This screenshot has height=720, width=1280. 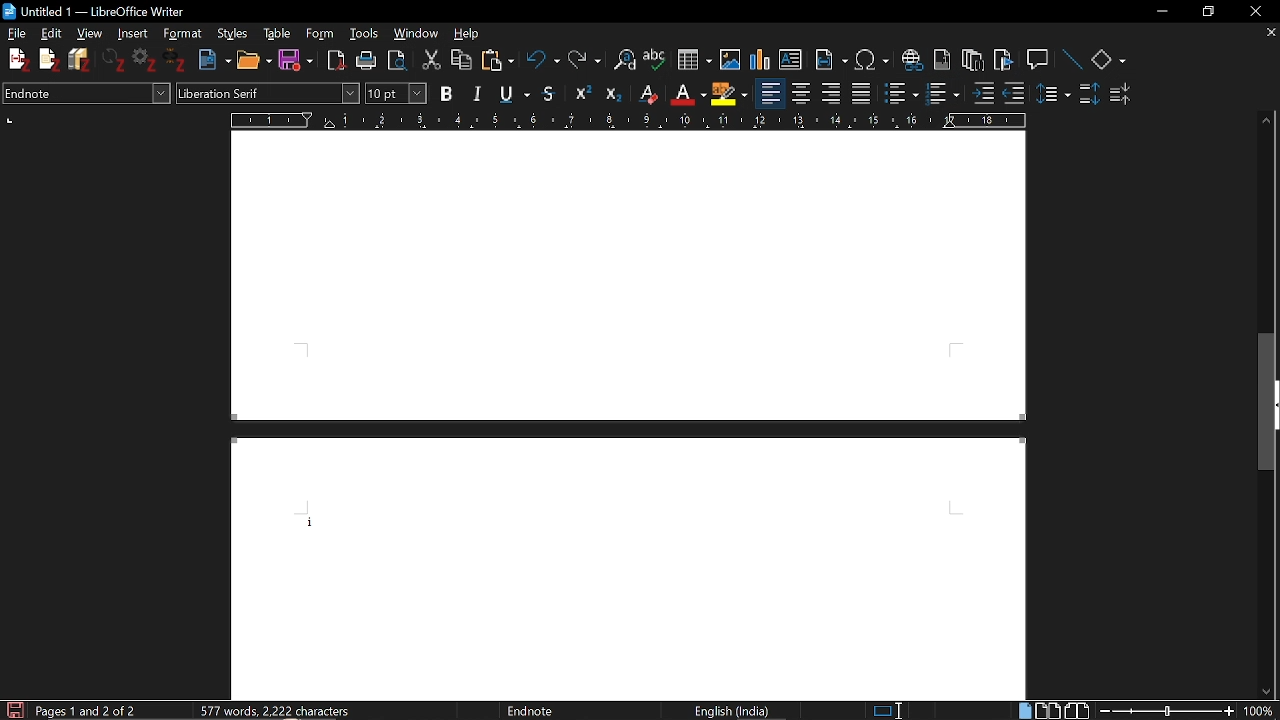 I want to click on Insert Image, so click(x=730, y=60).